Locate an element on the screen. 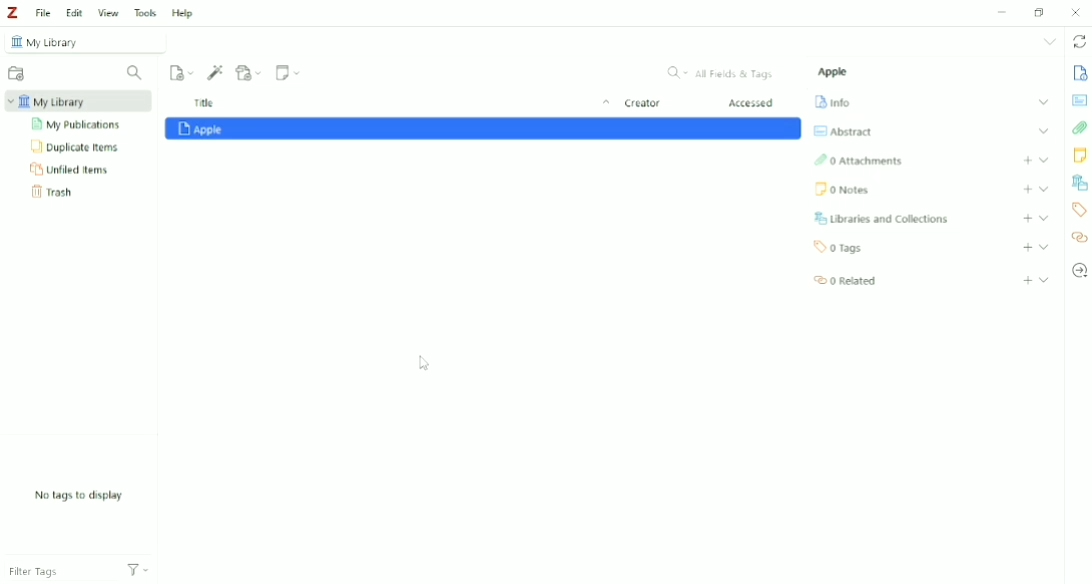  My Publications is located at coordinates (79, 125).